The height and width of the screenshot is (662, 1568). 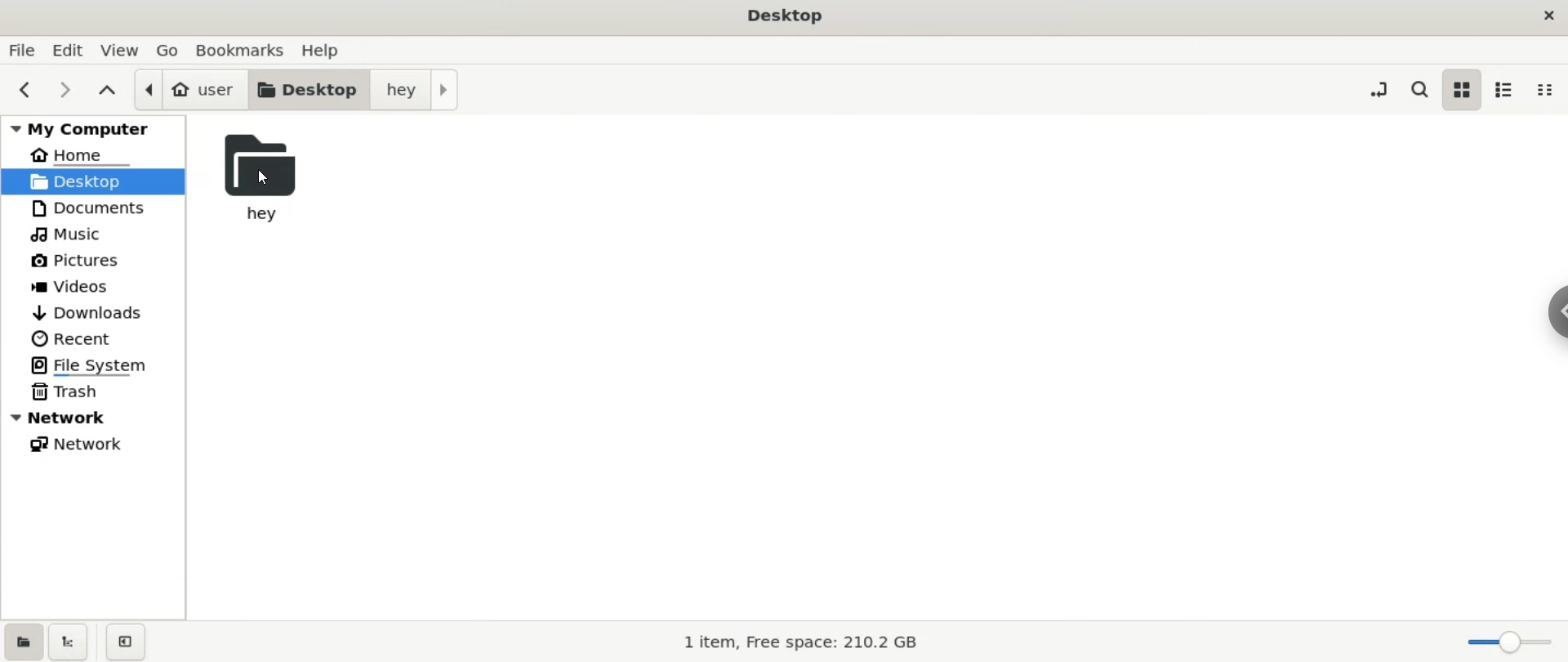 I want to click on close, so click(x=1544, y=13).